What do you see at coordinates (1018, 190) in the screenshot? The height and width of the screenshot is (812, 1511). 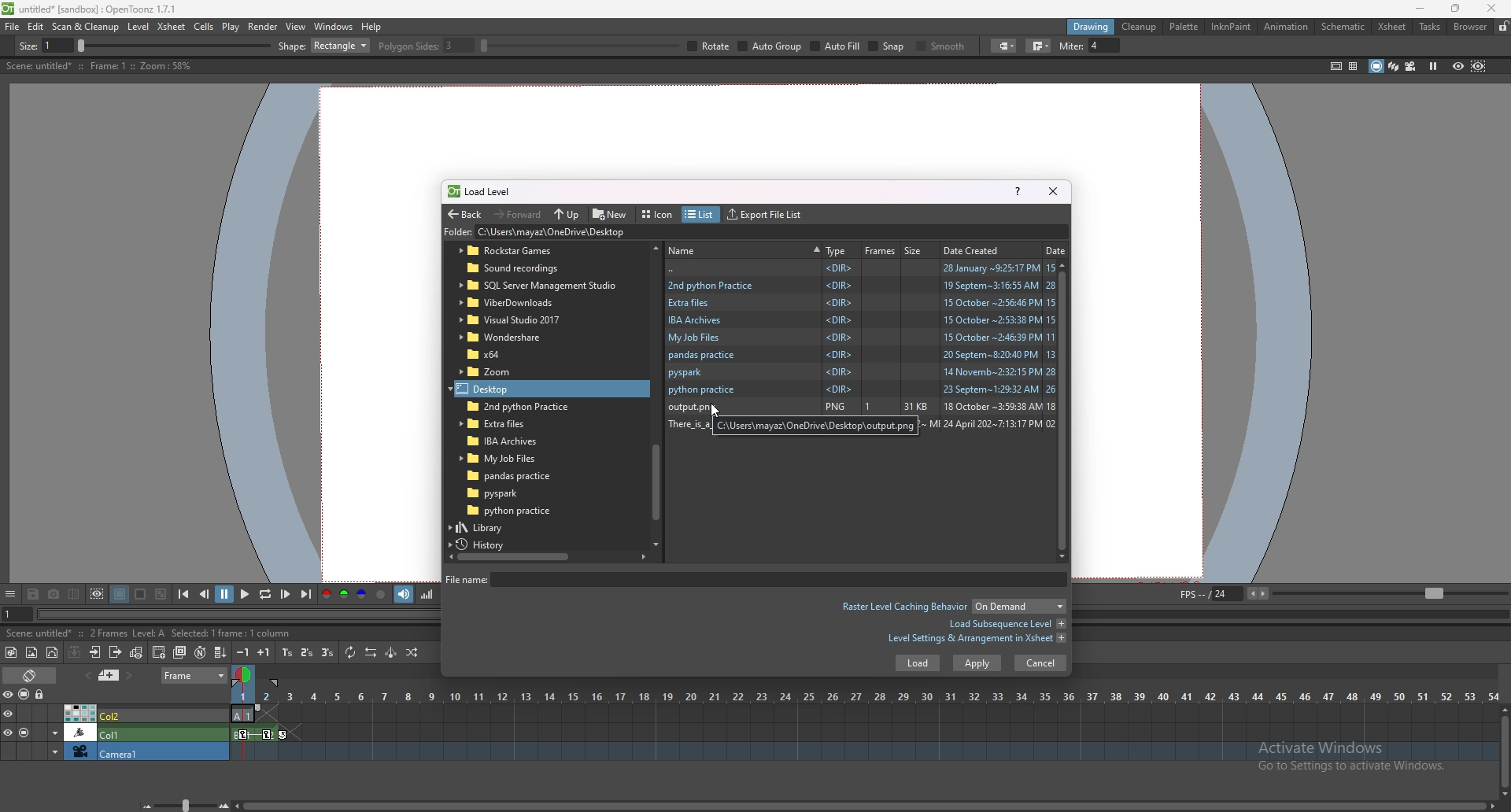 I see `help` at bounding box center [1018, 190].